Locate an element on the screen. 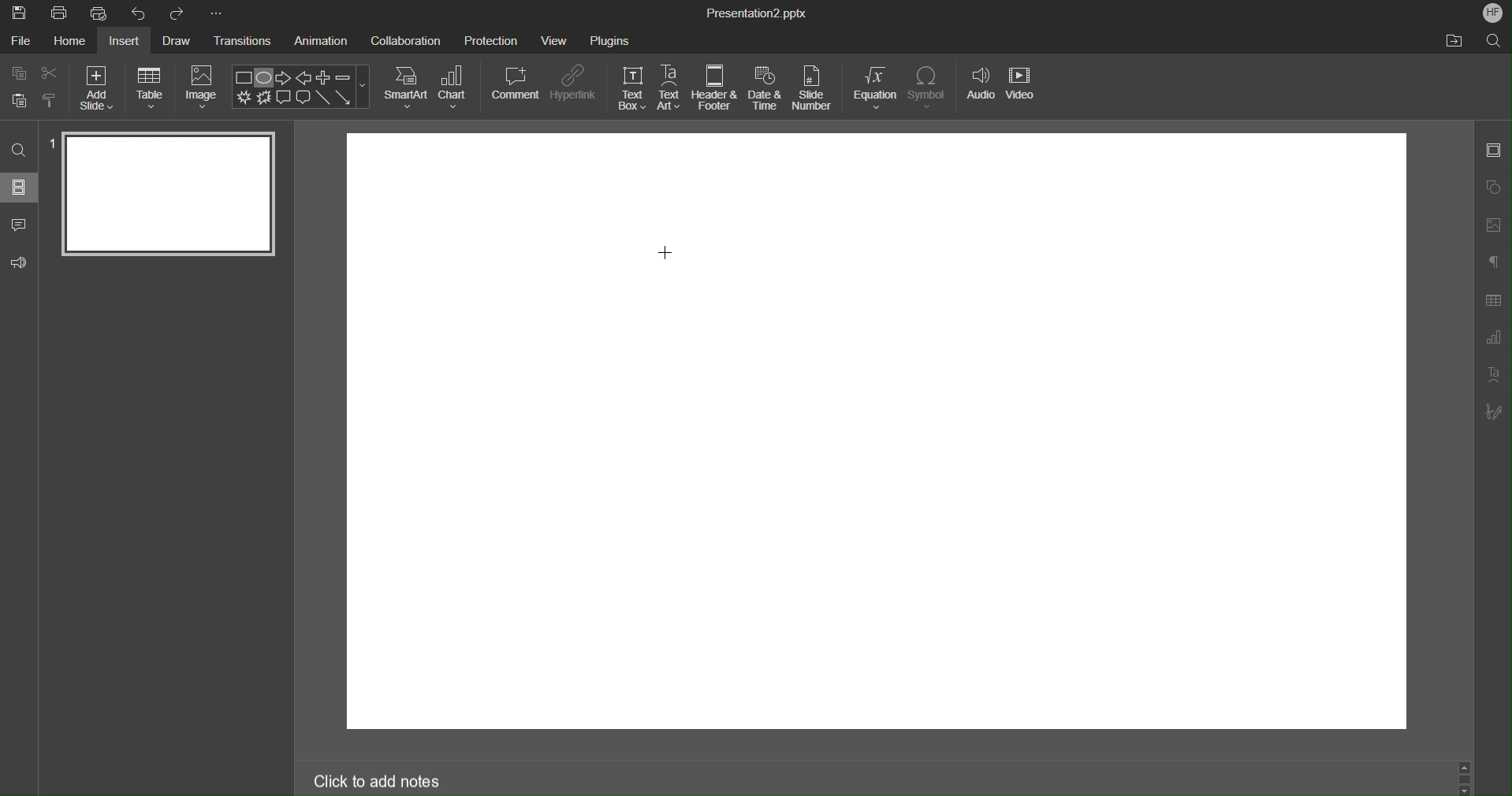  Header & Footer is located at coordinates (715, 88).